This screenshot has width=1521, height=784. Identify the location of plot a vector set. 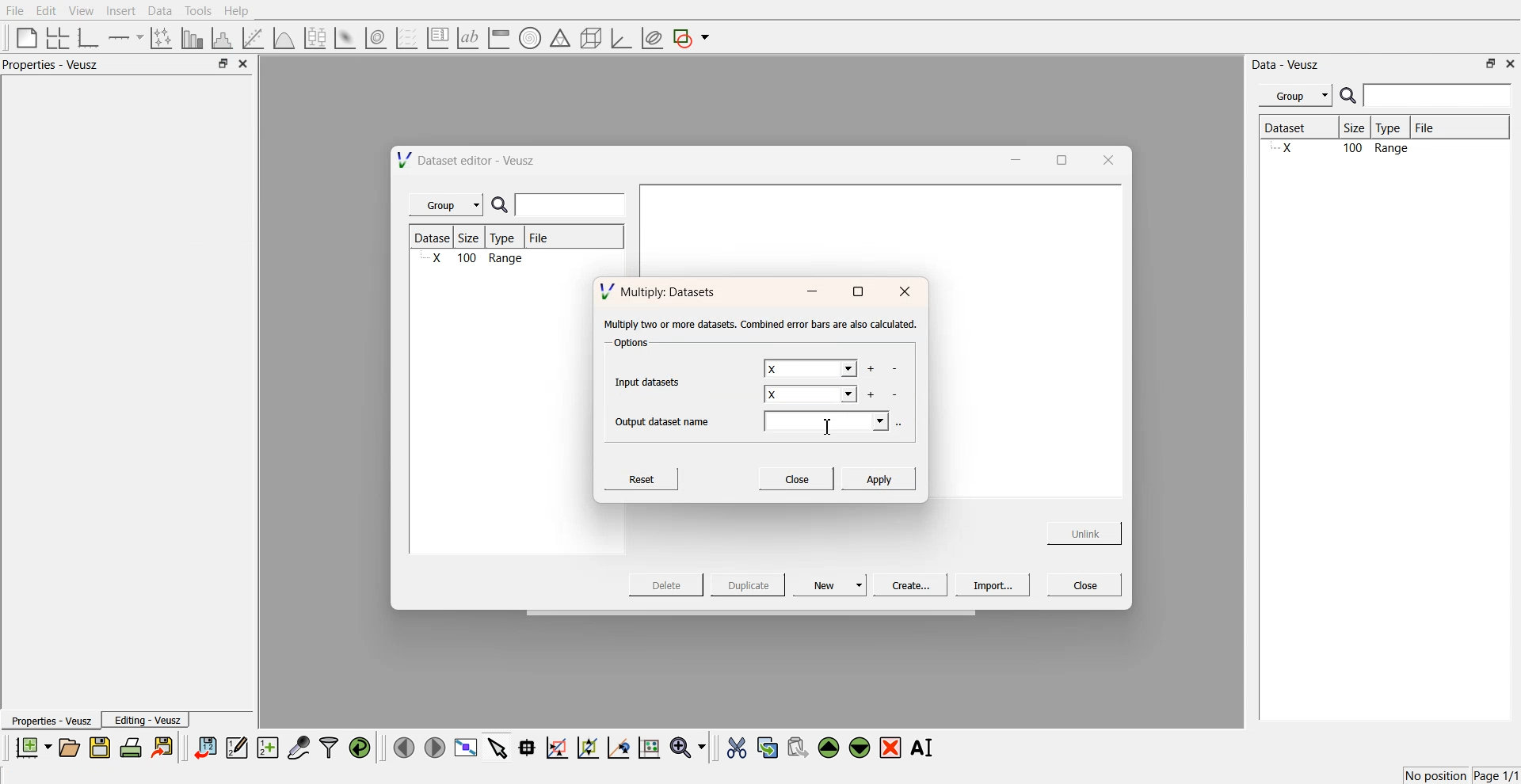
(408, 38).